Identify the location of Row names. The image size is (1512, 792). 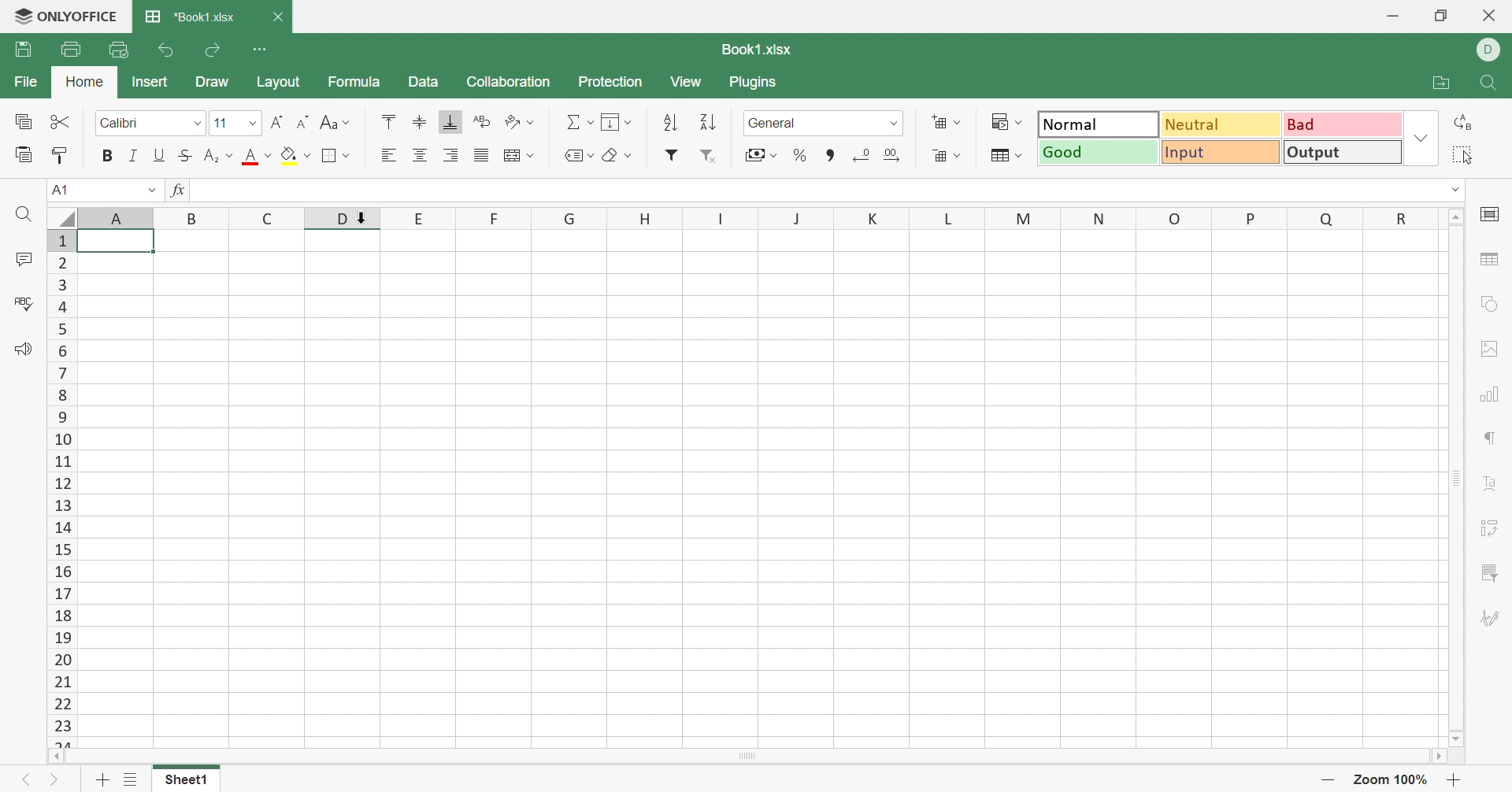
(60, 486).